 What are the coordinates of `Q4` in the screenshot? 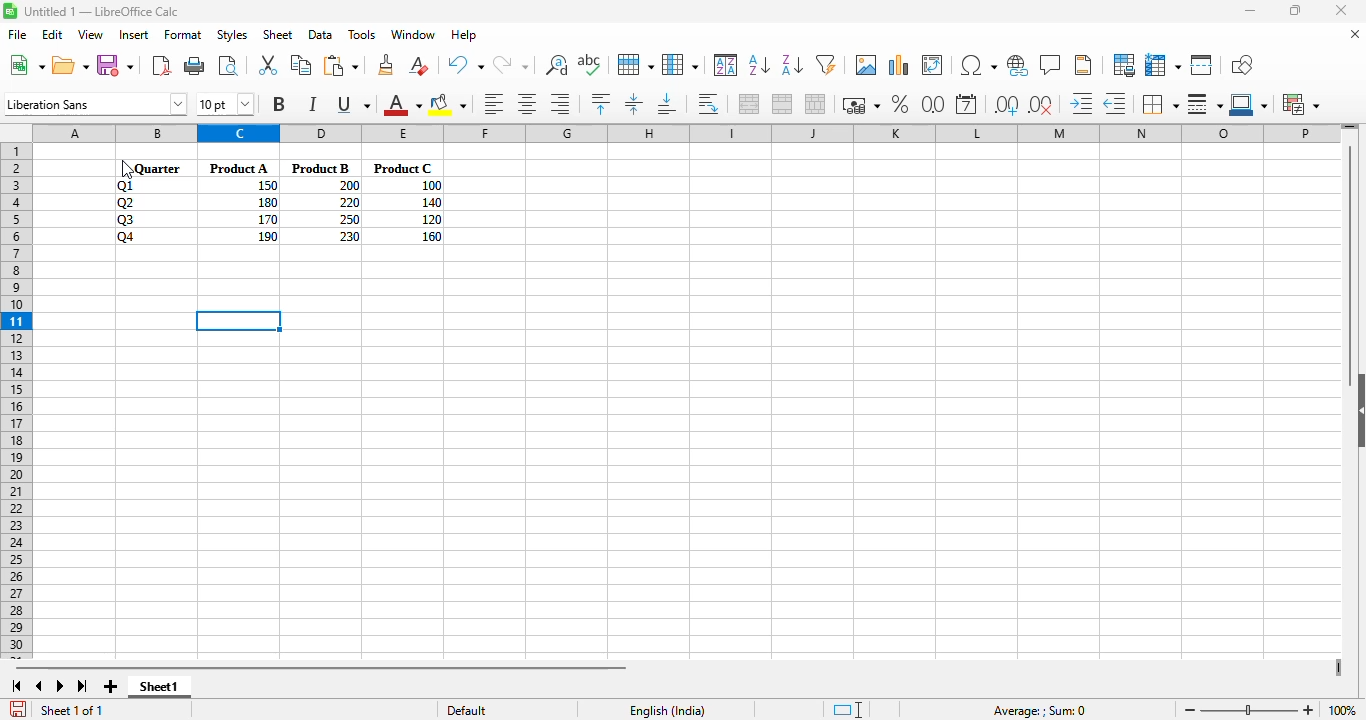 It's located at (127, 237).